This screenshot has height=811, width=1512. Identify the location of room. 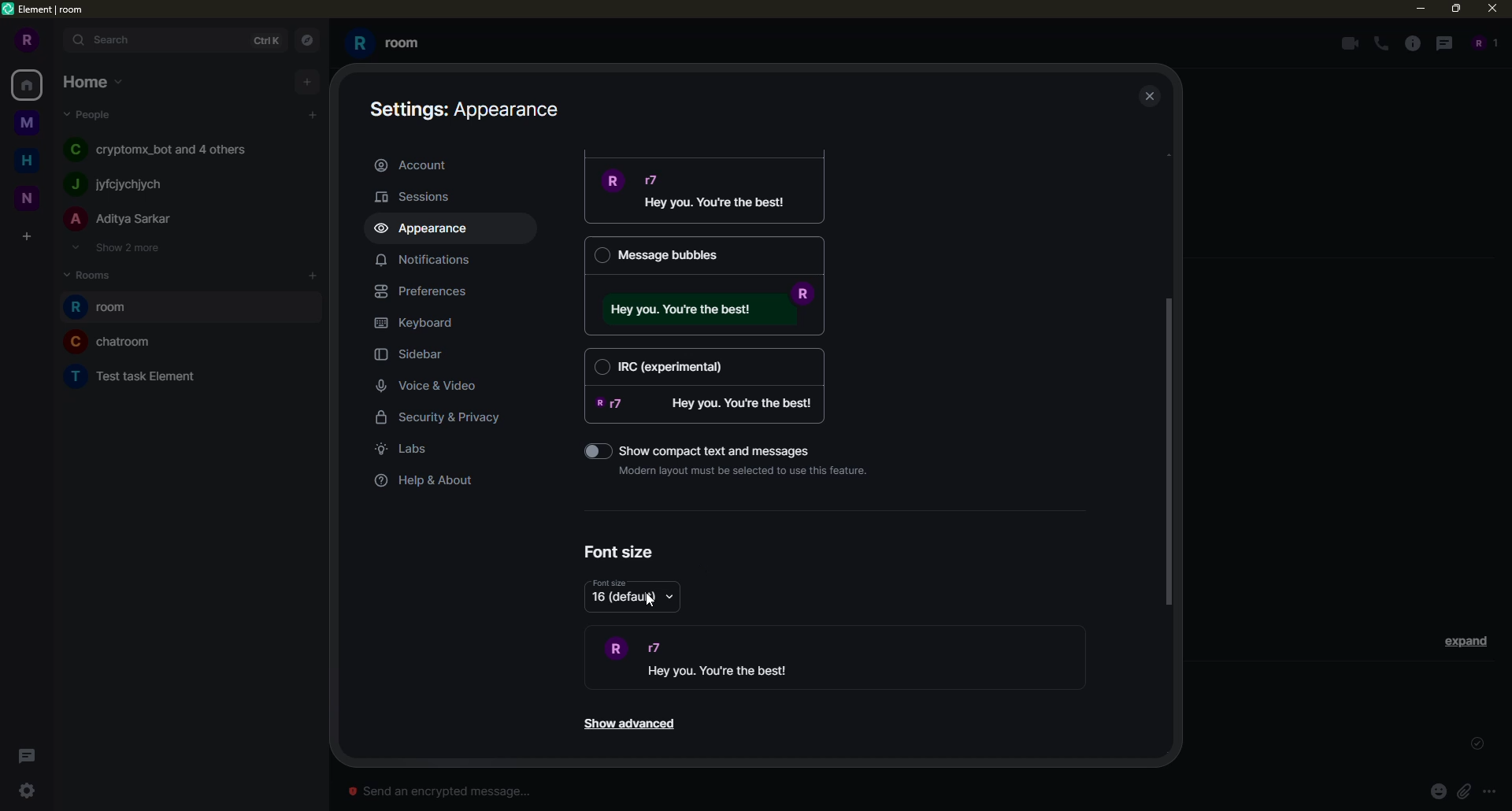
(105, 308).